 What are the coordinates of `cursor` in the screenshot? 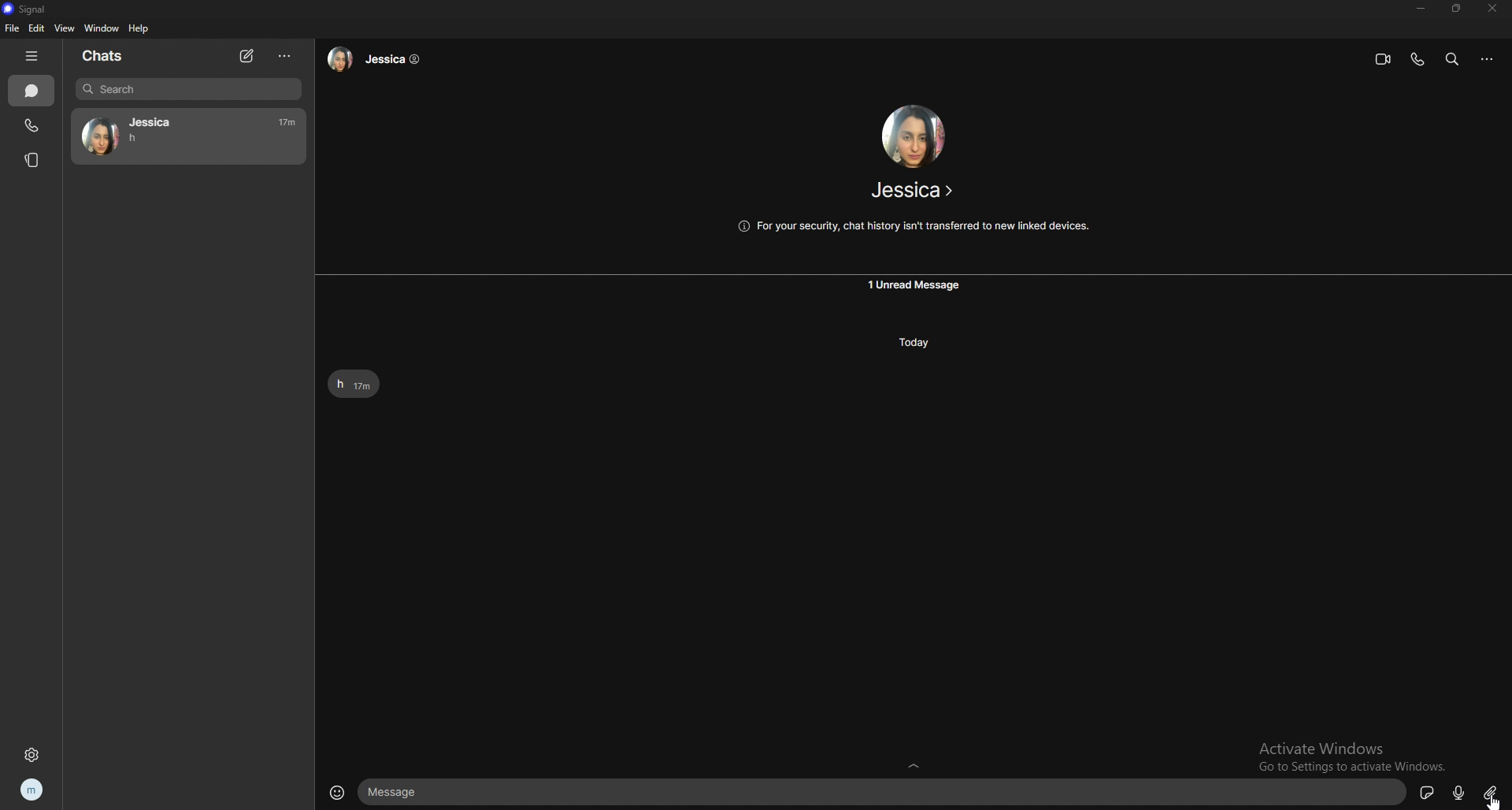 It's located at (1496, 802).